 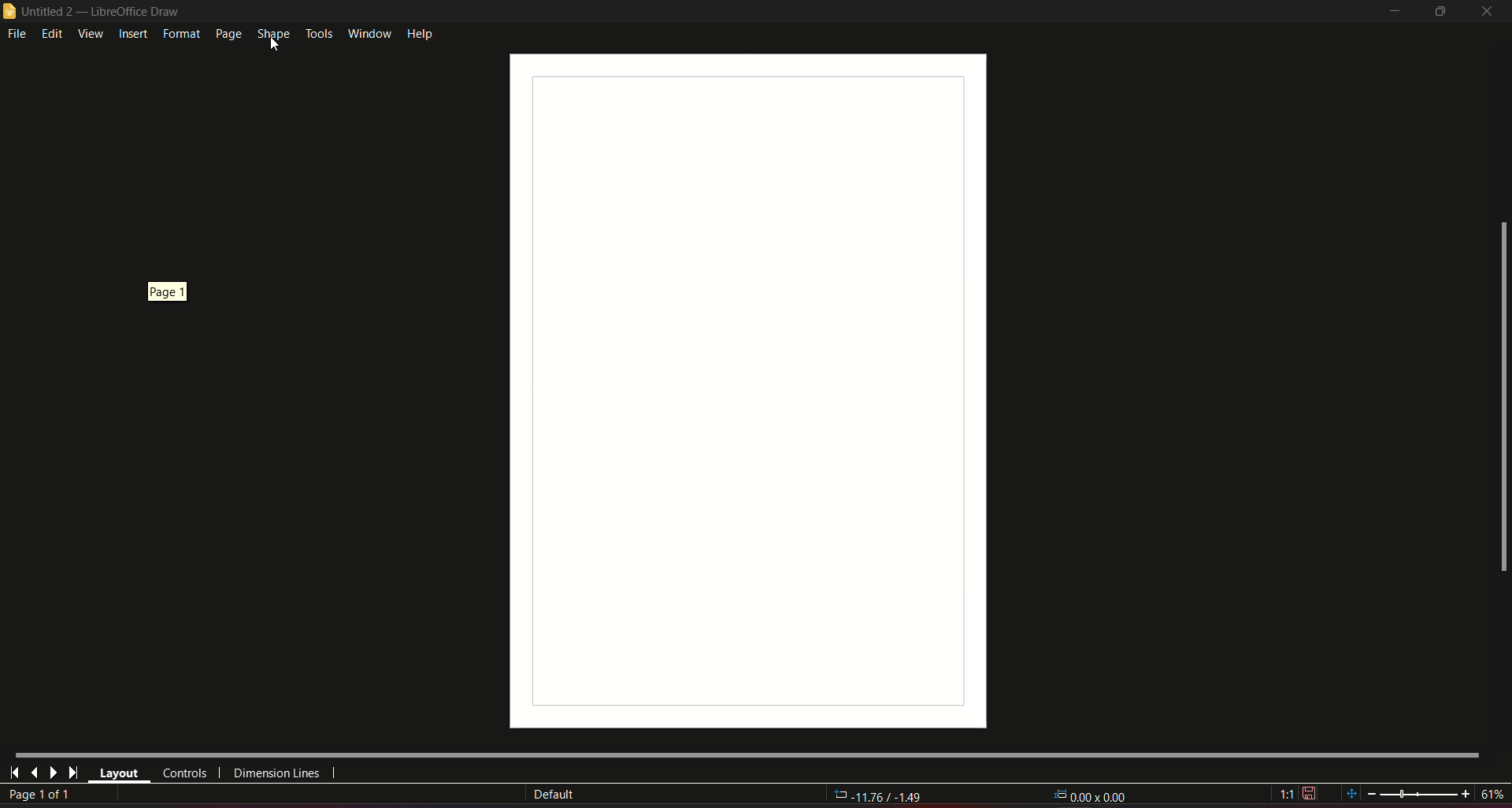 What do you see at coordinates (119, 774) in the screenshot?
I see `layout` at bounding box center [119, 774].